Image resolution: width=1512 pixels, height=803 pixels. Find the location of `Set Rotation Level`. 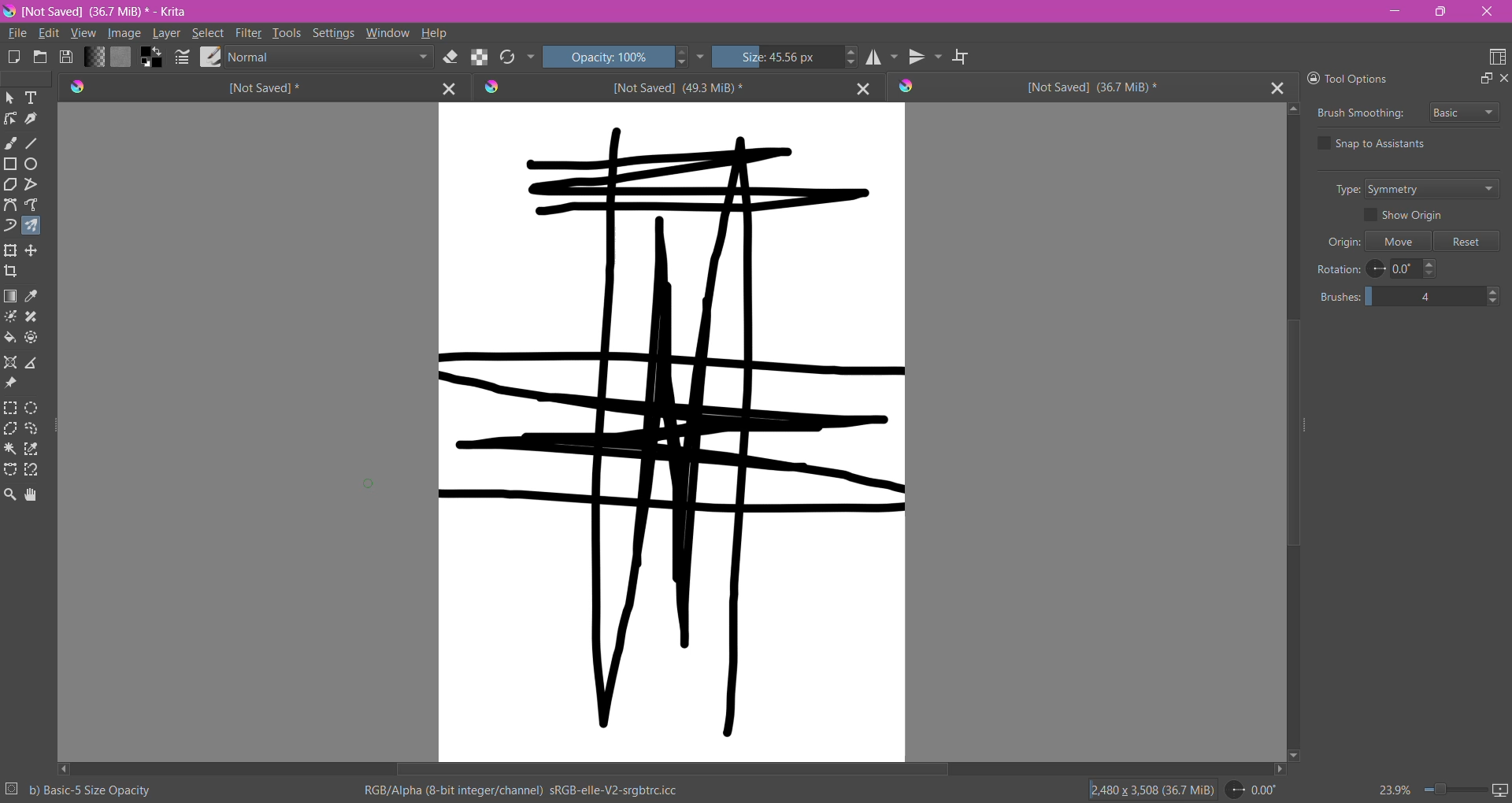

Set Rotation Level is located at coordinates (1408, 271).